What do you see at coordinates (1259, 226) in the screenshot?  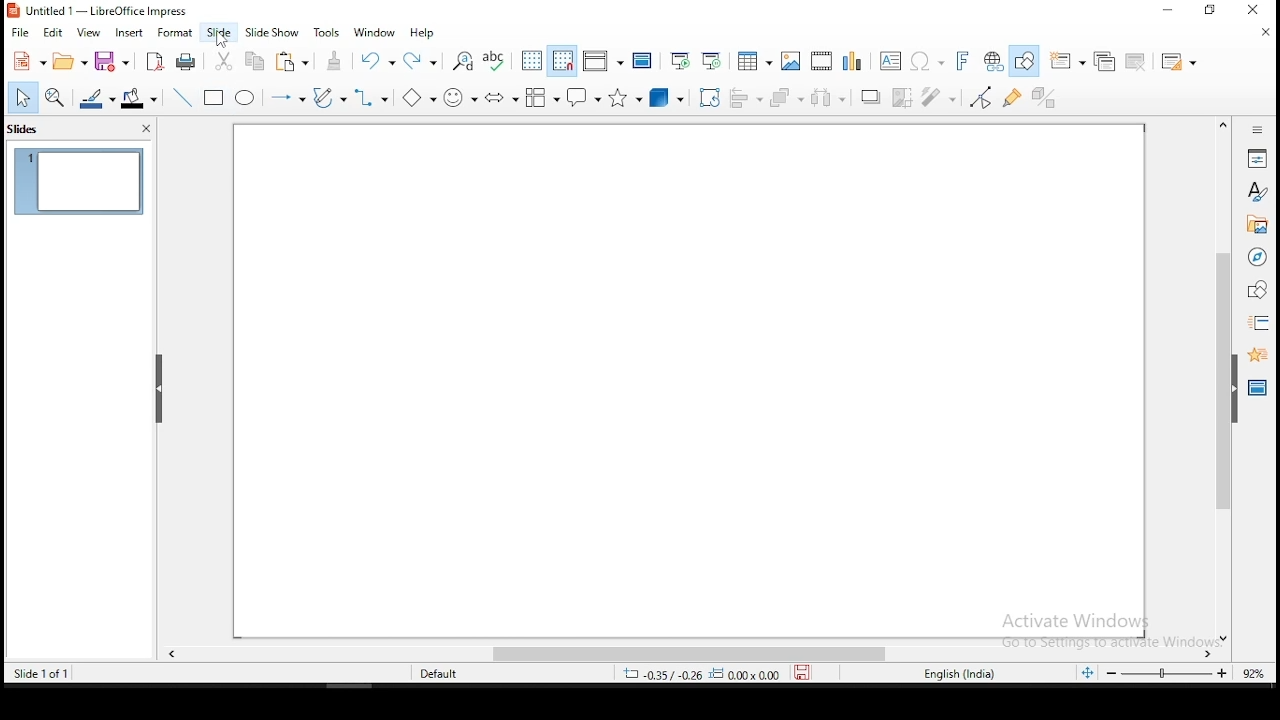 I see `gallery` at bounding box center [1259, 226].